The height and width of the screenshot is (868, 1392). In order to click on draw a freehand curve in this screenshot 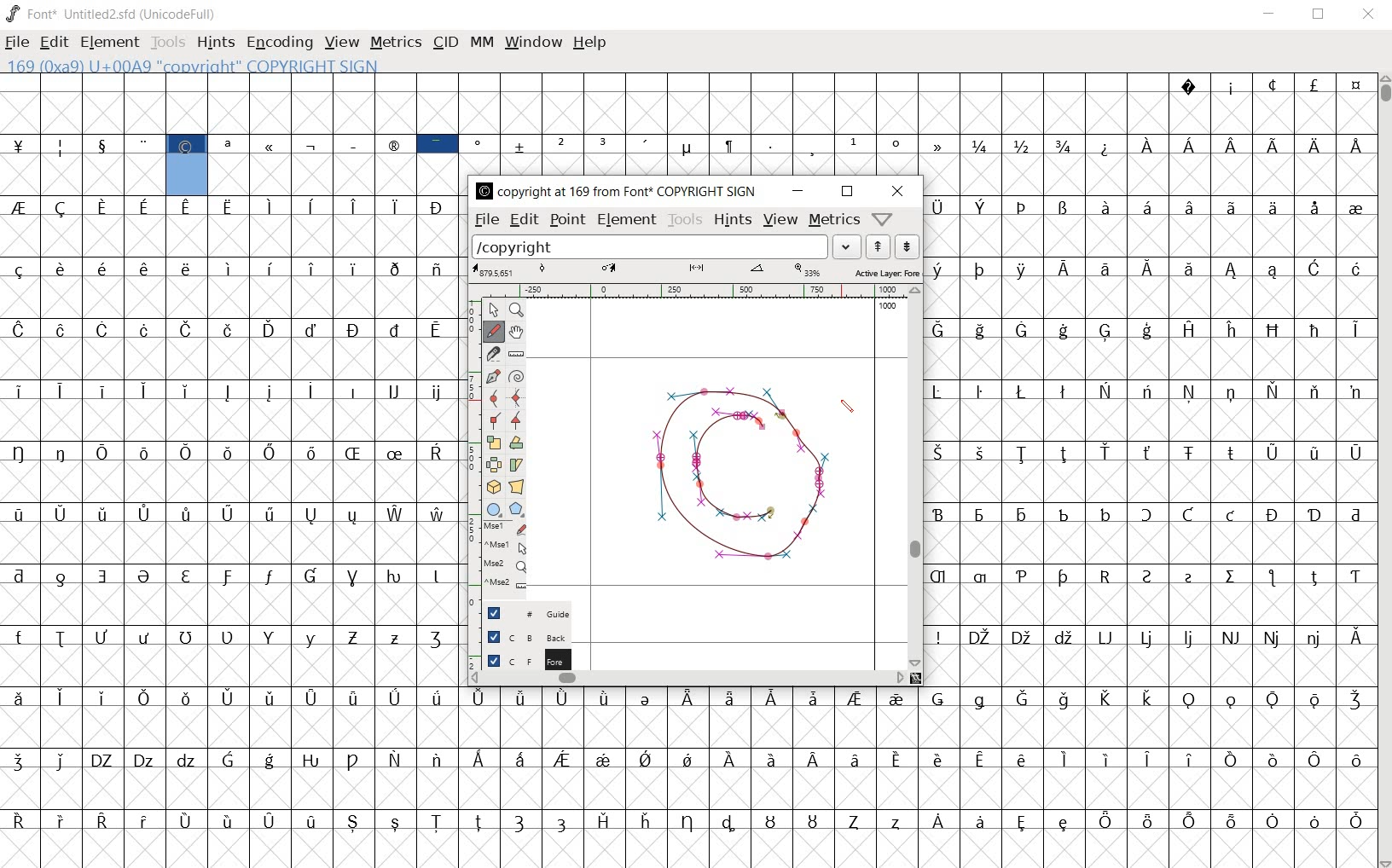, I will do `click(493, 331)`.